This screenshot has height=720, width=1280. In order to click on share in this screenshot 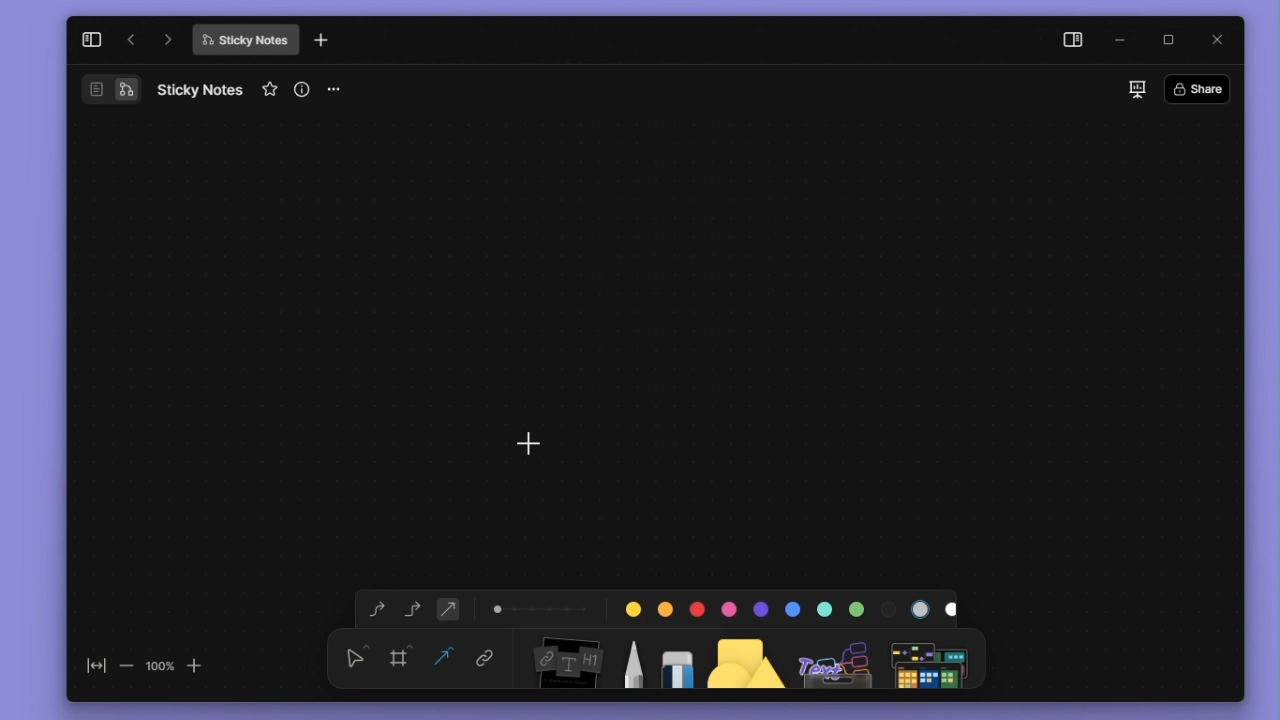, I will do `click(1203, 88)`.